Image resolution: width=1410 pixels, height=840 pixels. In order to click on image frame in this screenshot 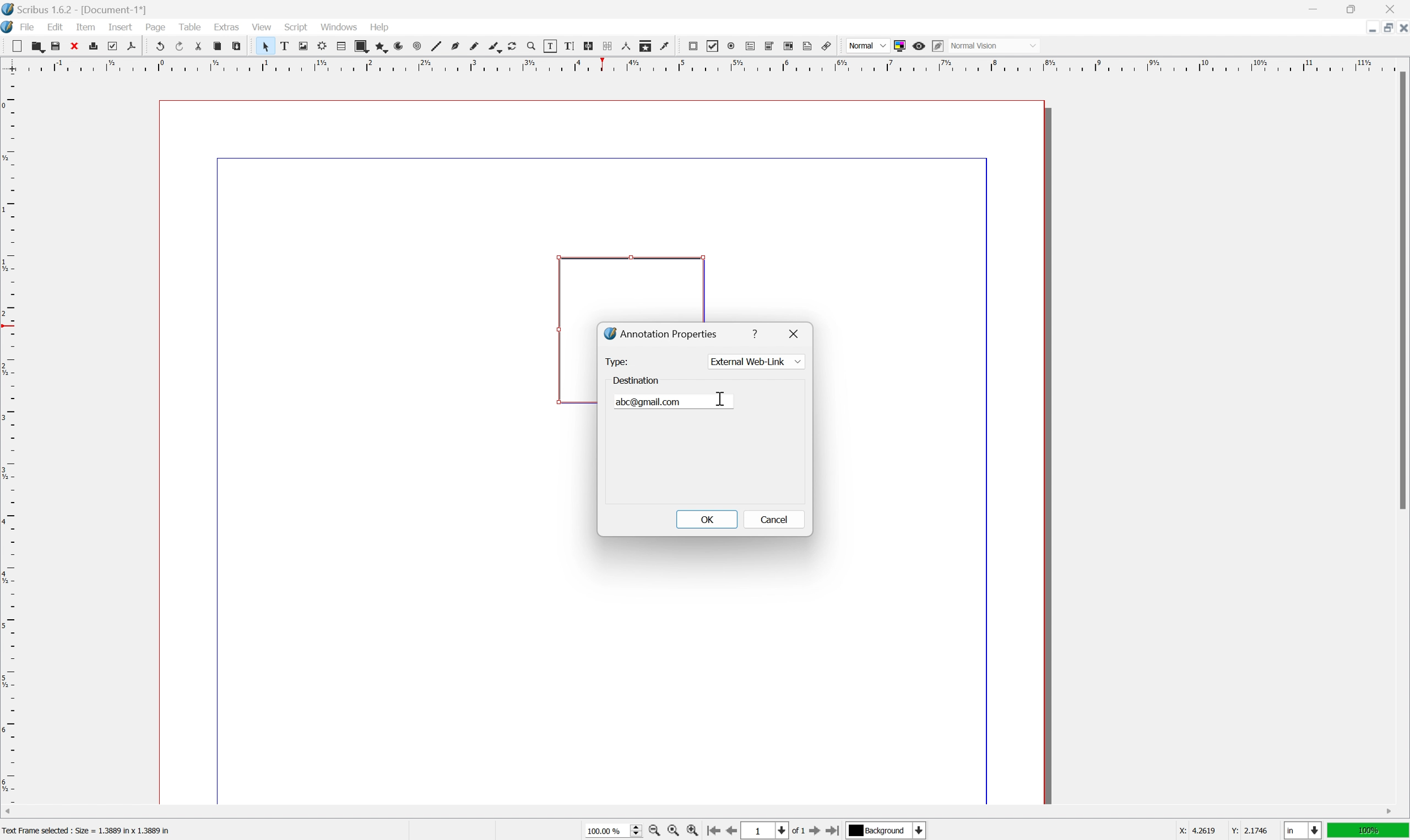, I will do `click(303, 46)`.